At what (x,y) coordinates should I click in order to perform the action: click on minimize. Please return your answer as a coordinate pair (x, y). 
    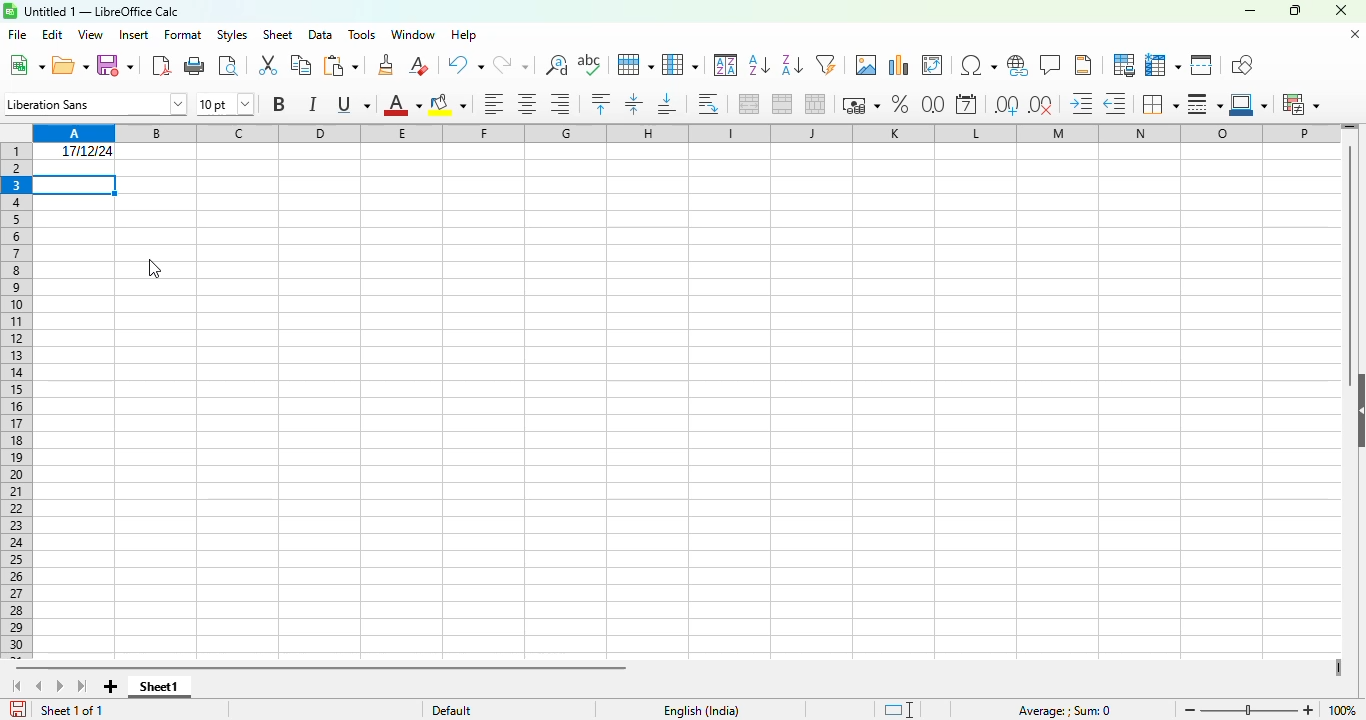
    Looking at the image, I should click on (1249, 10).